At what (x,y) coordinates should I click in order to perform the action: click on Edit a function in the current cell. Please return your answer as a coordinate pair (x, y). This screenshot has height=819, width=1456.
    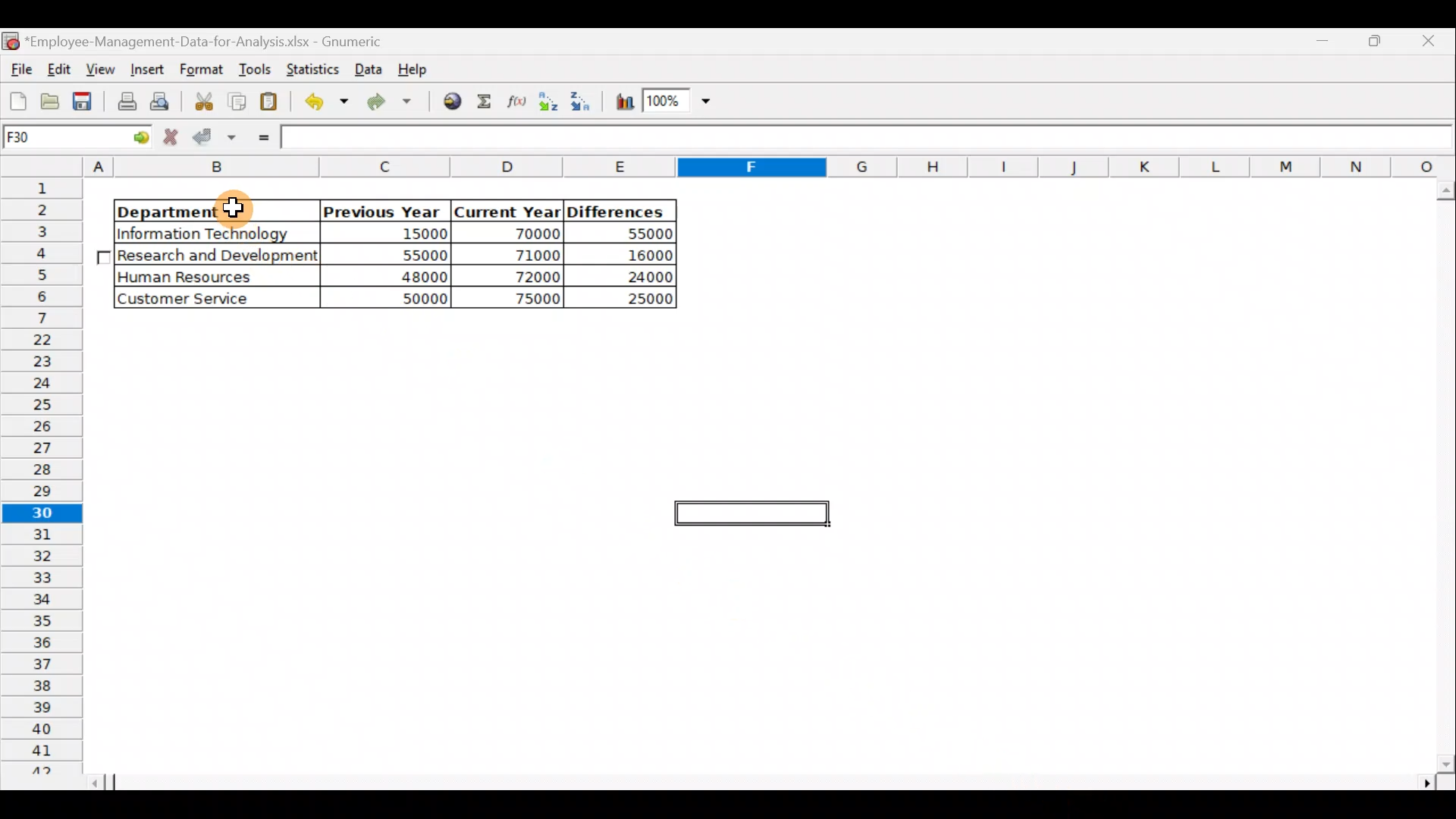
    Looking at the image, I should click on (516, 101).